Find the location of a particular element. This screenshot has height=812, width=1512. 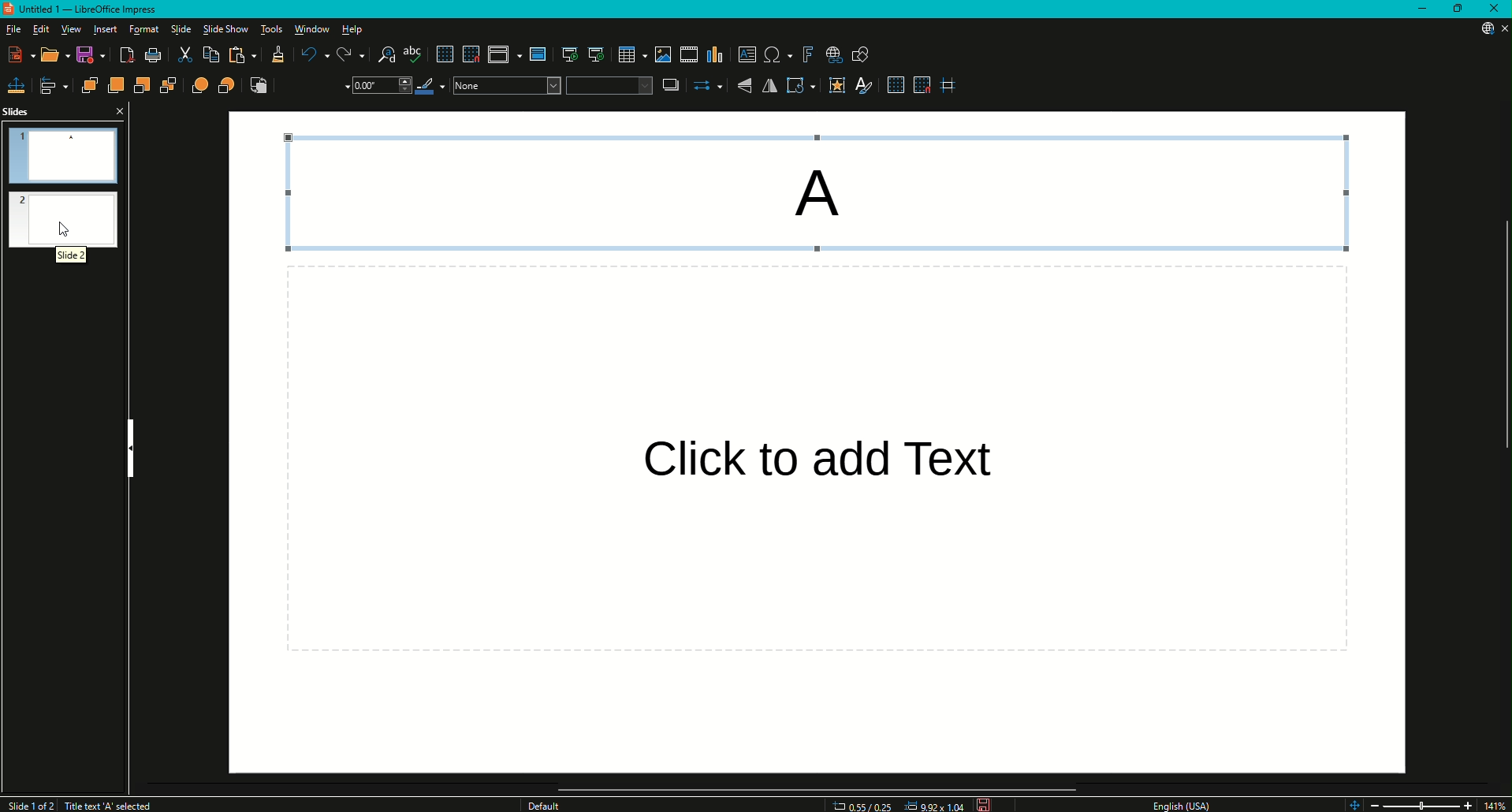

Display Grid is located at coordinates (440, 53).